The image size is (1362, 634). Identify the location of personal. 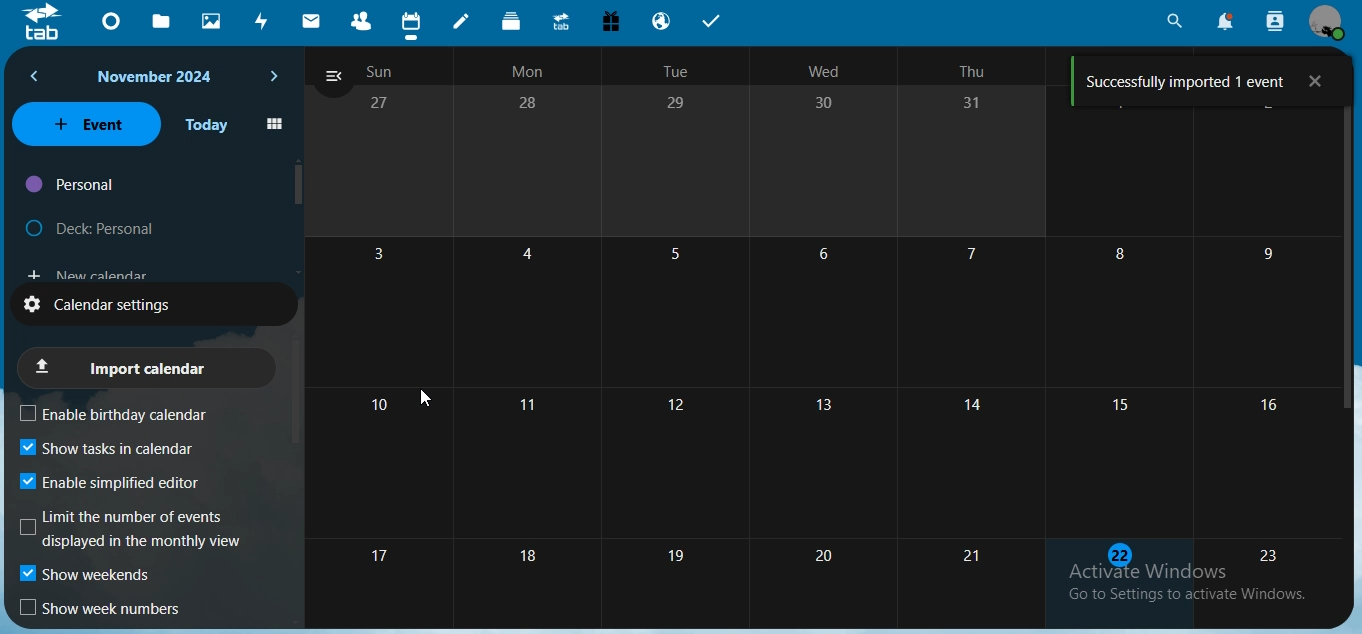
(72, 185).